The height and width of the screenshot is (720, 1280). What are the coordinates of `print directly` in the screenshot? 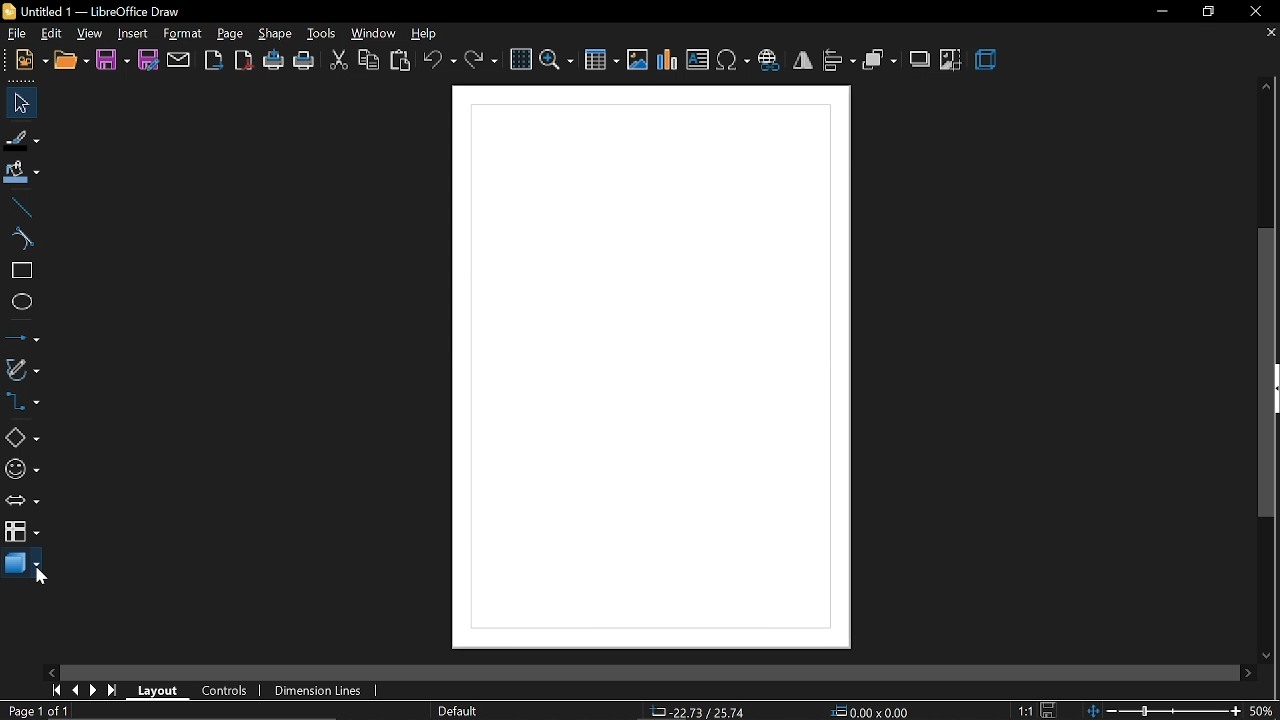 It's located at (272, 62).